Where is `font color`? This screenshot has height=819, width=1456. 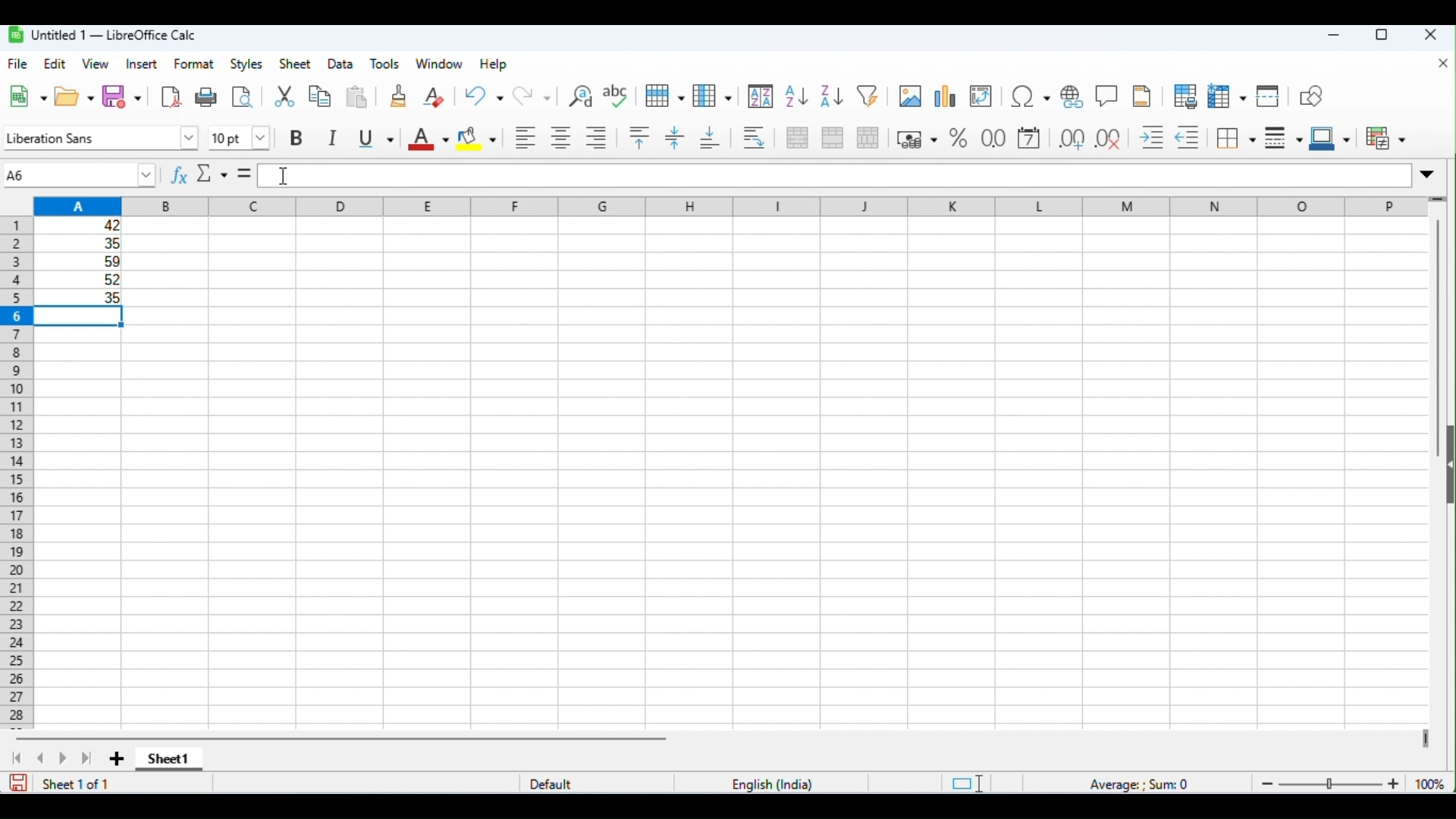
font color is located at coordinates (428, 137).